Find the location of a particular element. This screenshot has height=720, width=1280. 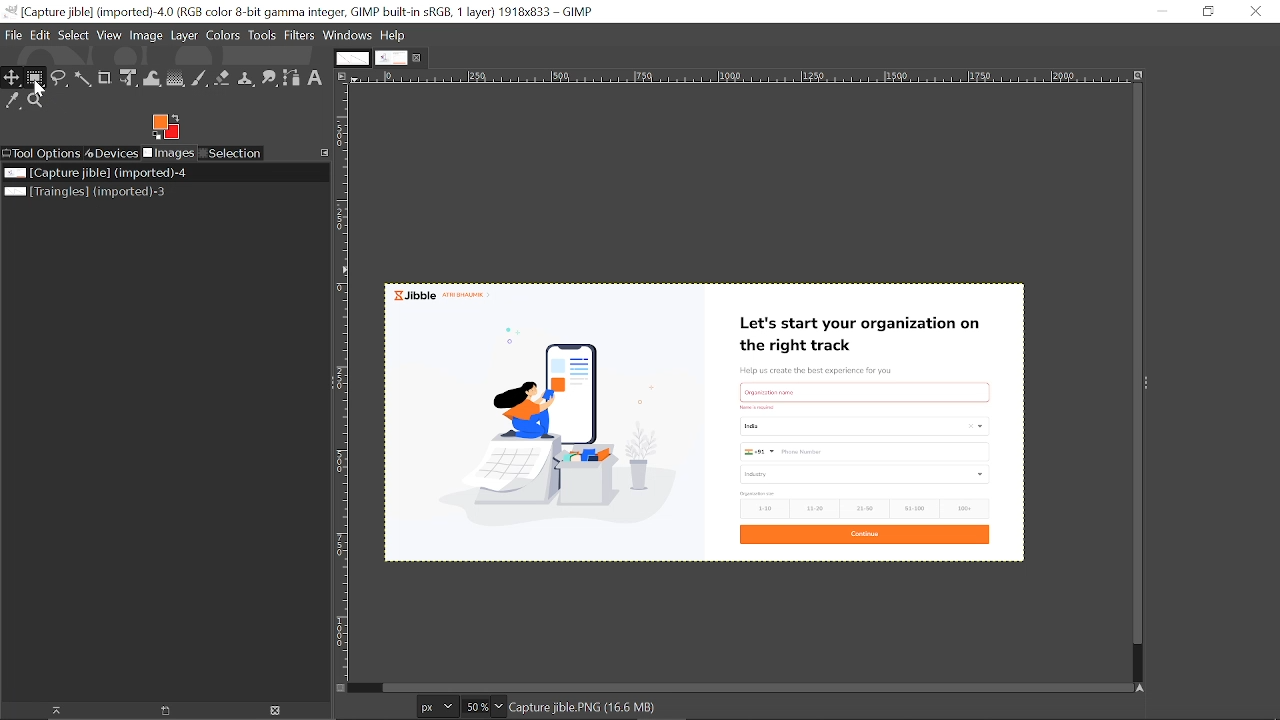

Clone tool is located at coordinates (244, 78).